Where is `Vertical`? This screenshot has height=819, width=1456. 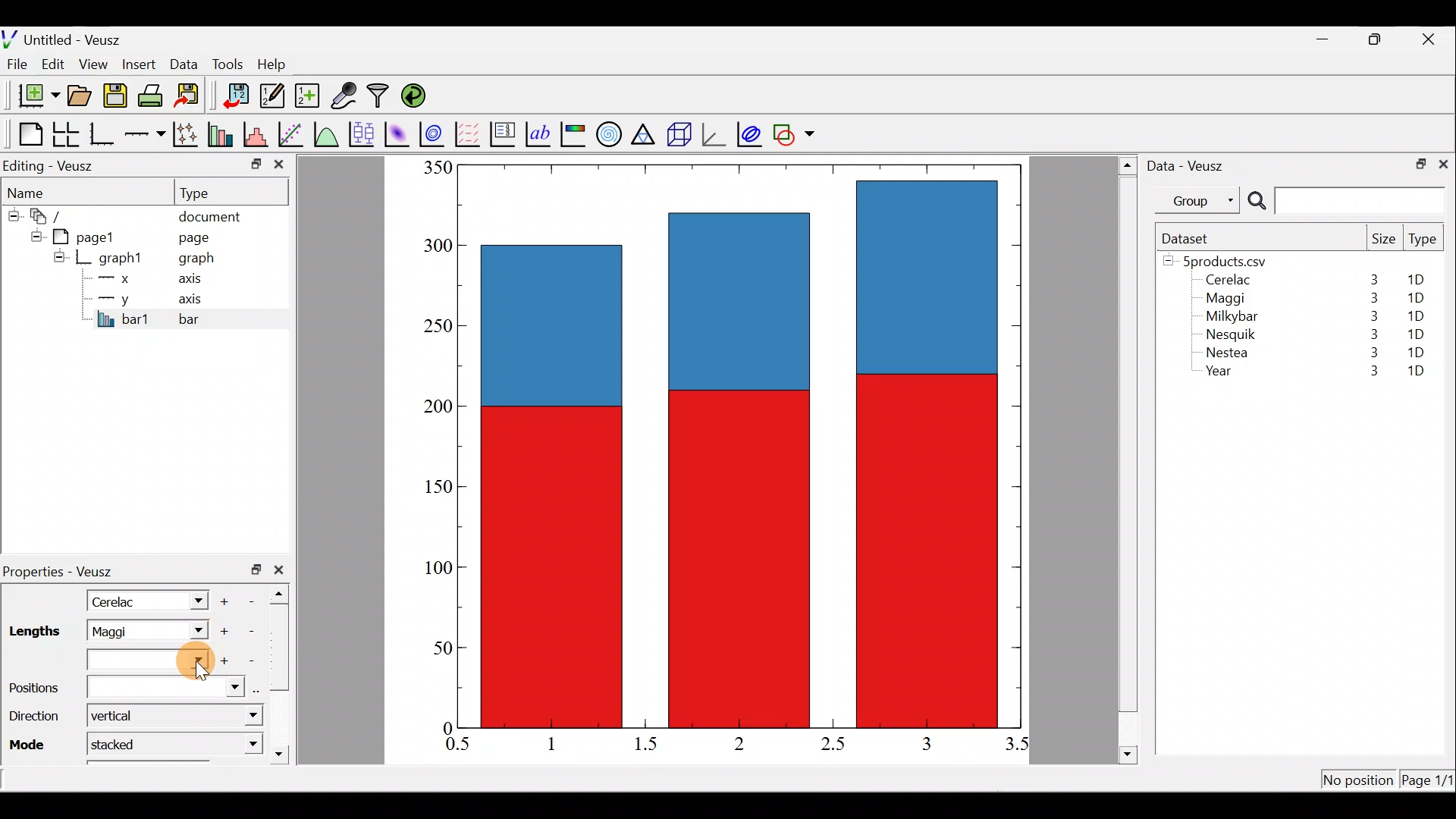
Vertical is located at coordinates (120, 715).